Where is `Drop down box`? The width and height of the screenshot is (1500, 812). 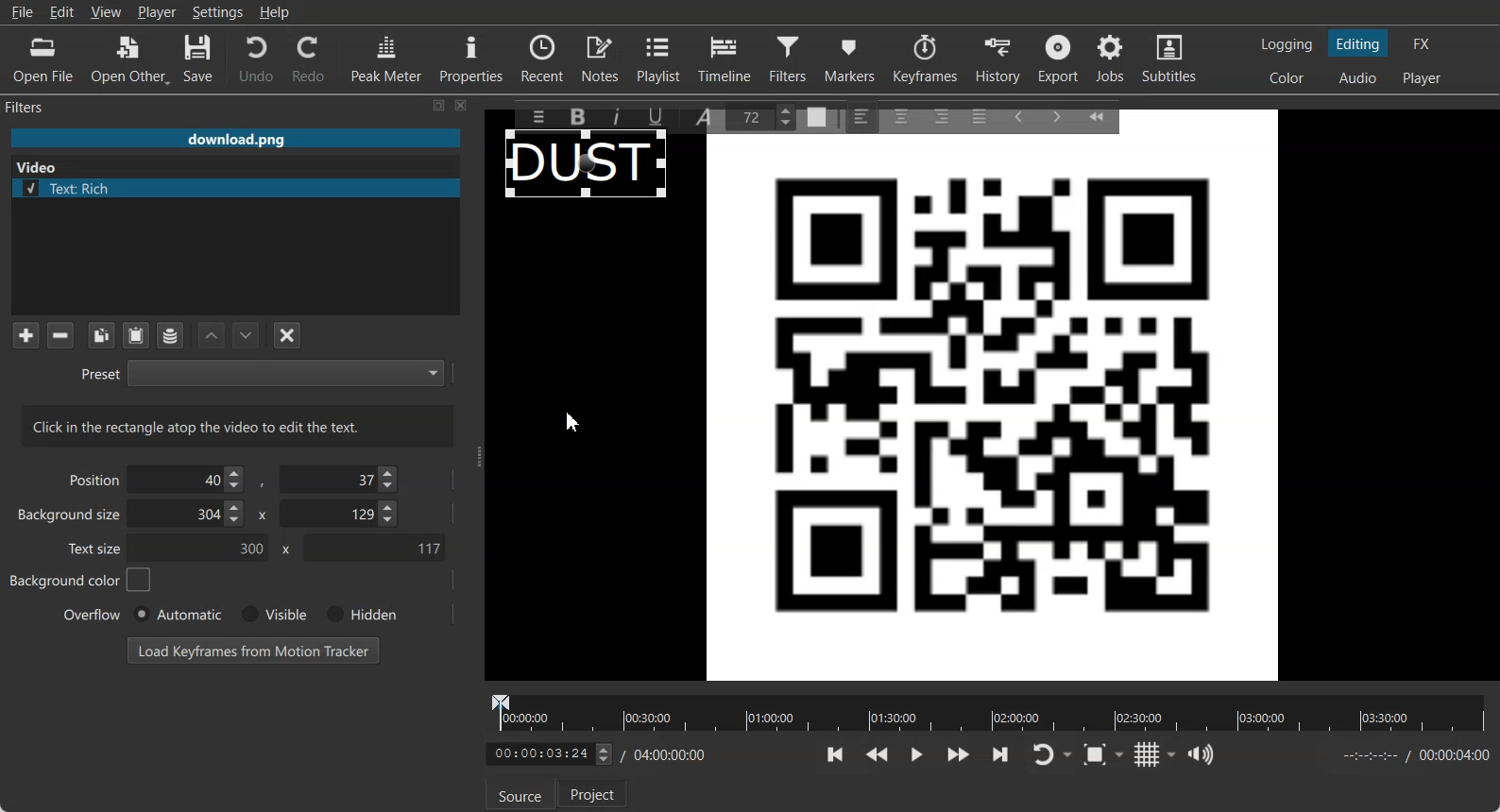 Drop down box is located at coordinates (1123, 753).